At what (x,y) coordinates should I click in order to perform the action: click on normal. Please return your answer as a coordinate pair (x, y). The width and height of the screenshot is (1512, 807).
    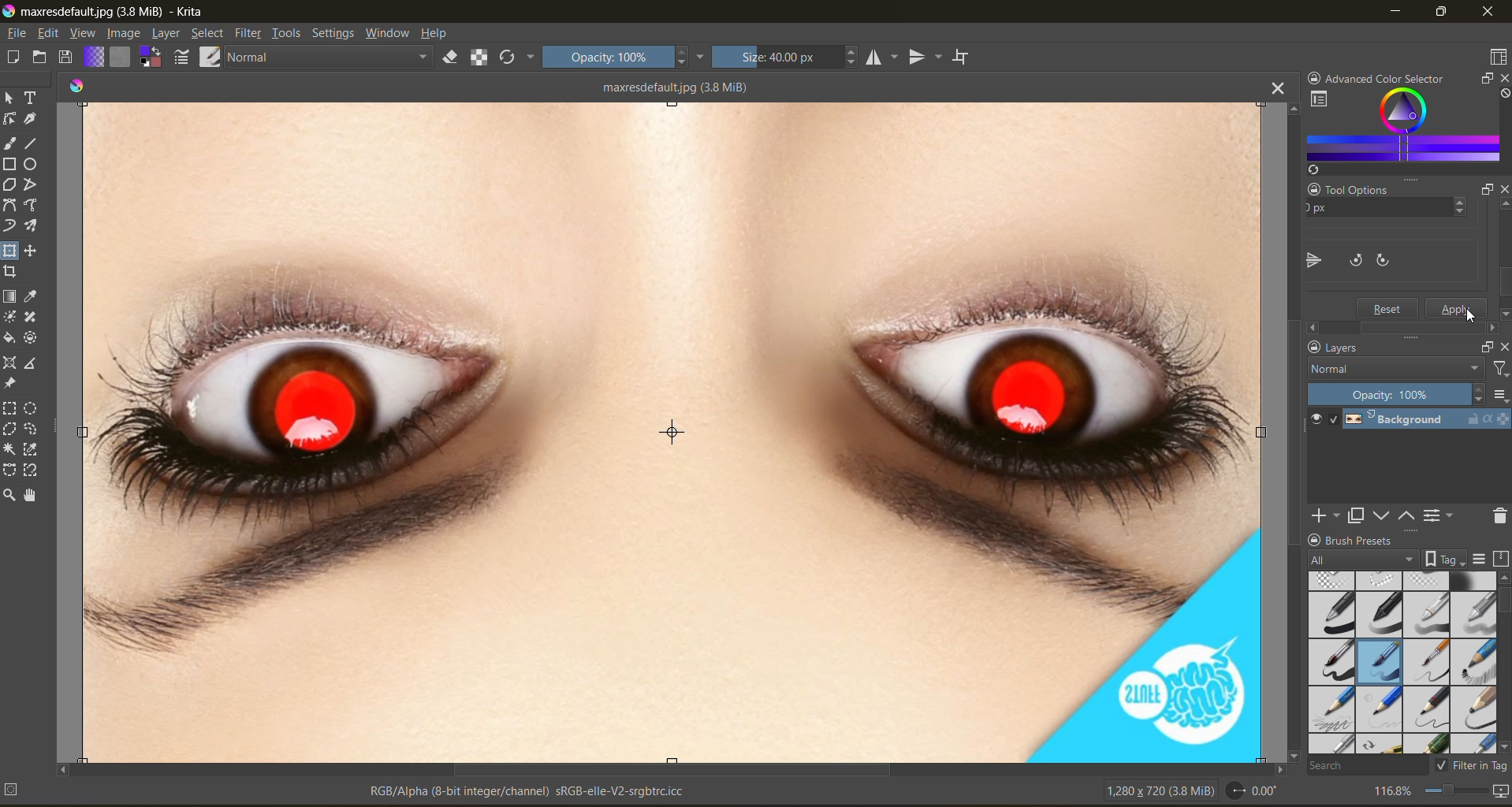
    Looking at the image, I should click on (1394, 369).